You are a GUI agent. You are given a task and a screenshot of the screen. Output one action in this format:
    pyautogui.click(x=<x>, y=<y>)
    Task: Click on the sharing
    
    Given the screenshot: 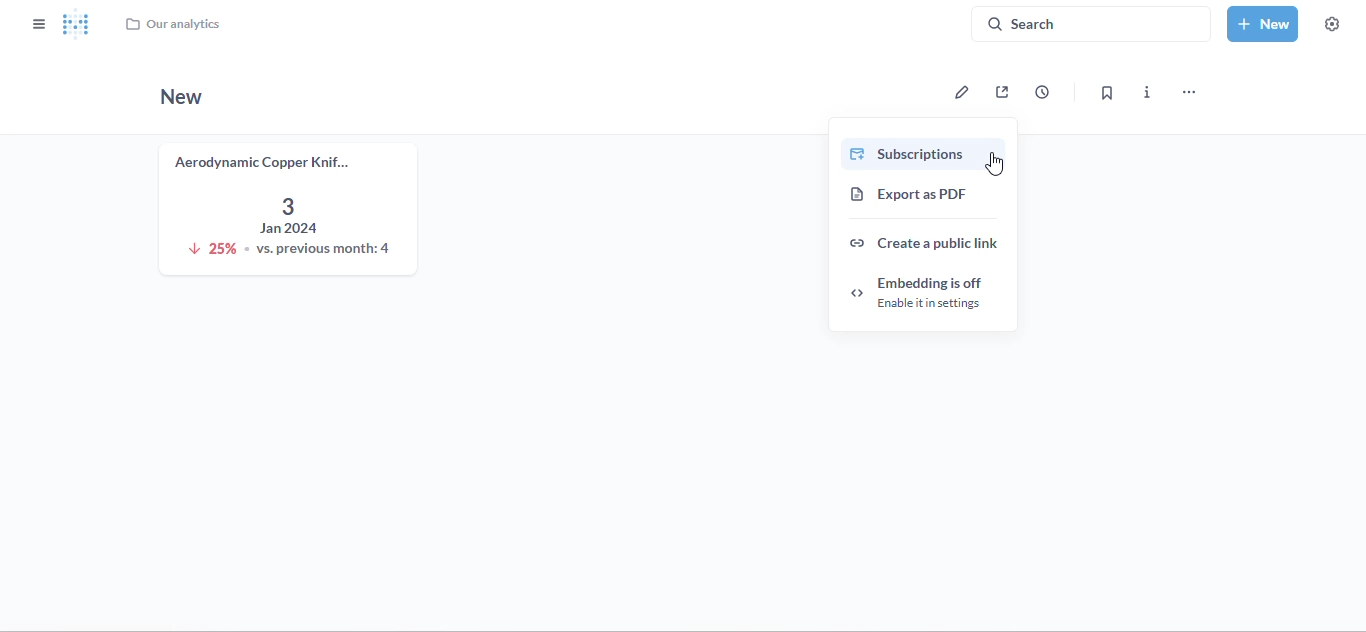 What is the action you would take?
    pyautogui.click(x=1003, y=91)
    